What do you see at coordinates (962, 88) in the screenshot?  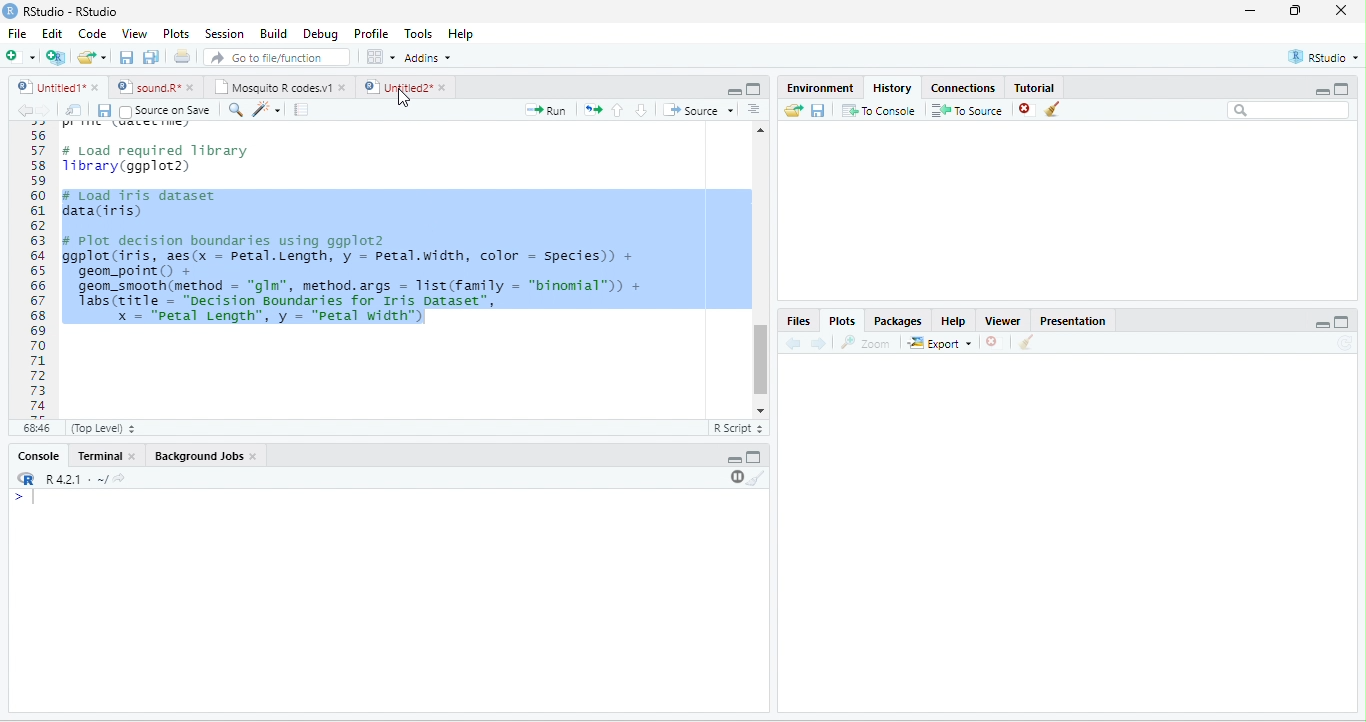 I see `Connections` at bounding box center [962, 88].